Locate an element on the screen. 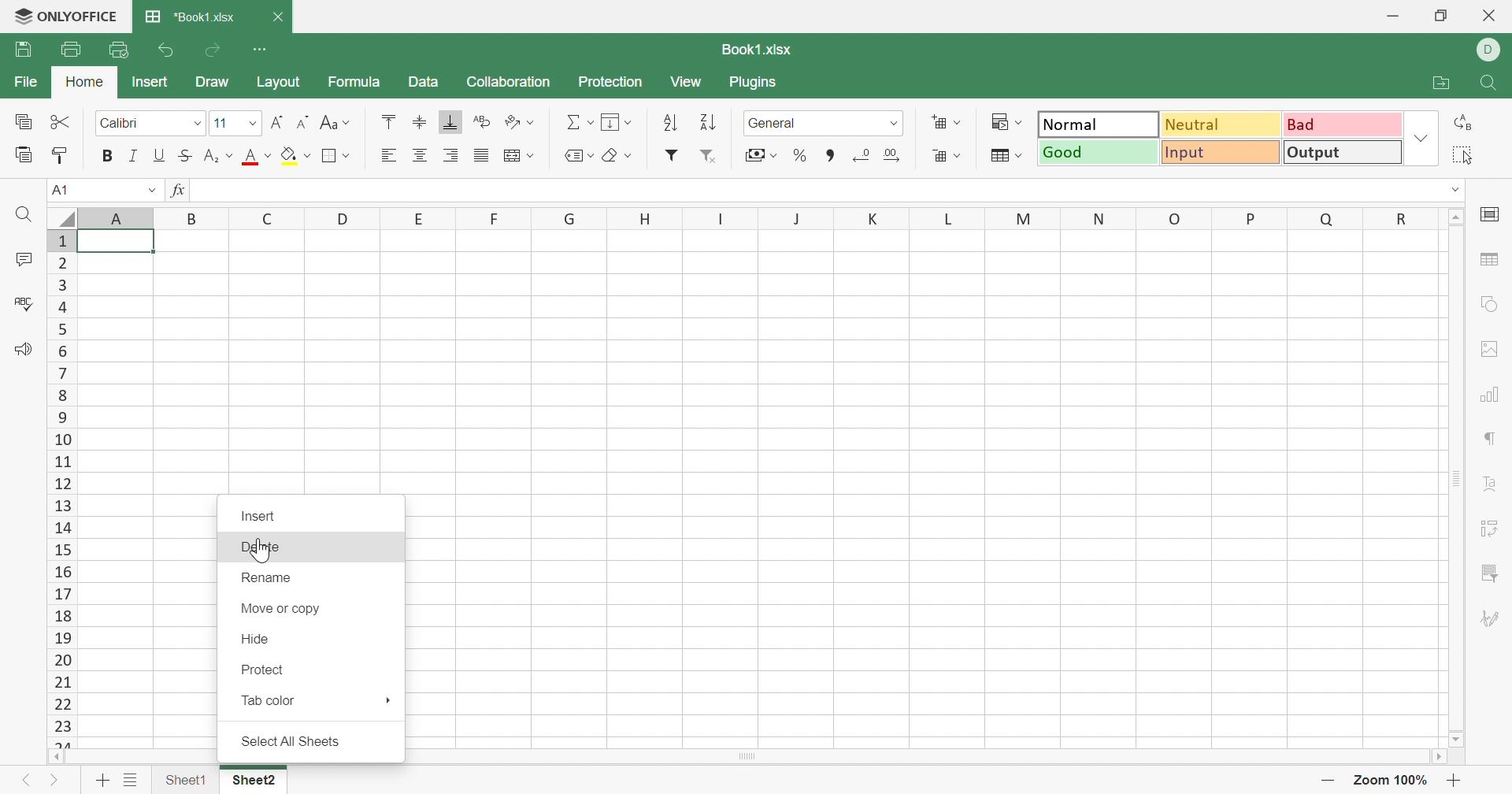 Image resolution: width=1512 pixels, height=794 pixels. Find is located at coordinates (1492, 82).